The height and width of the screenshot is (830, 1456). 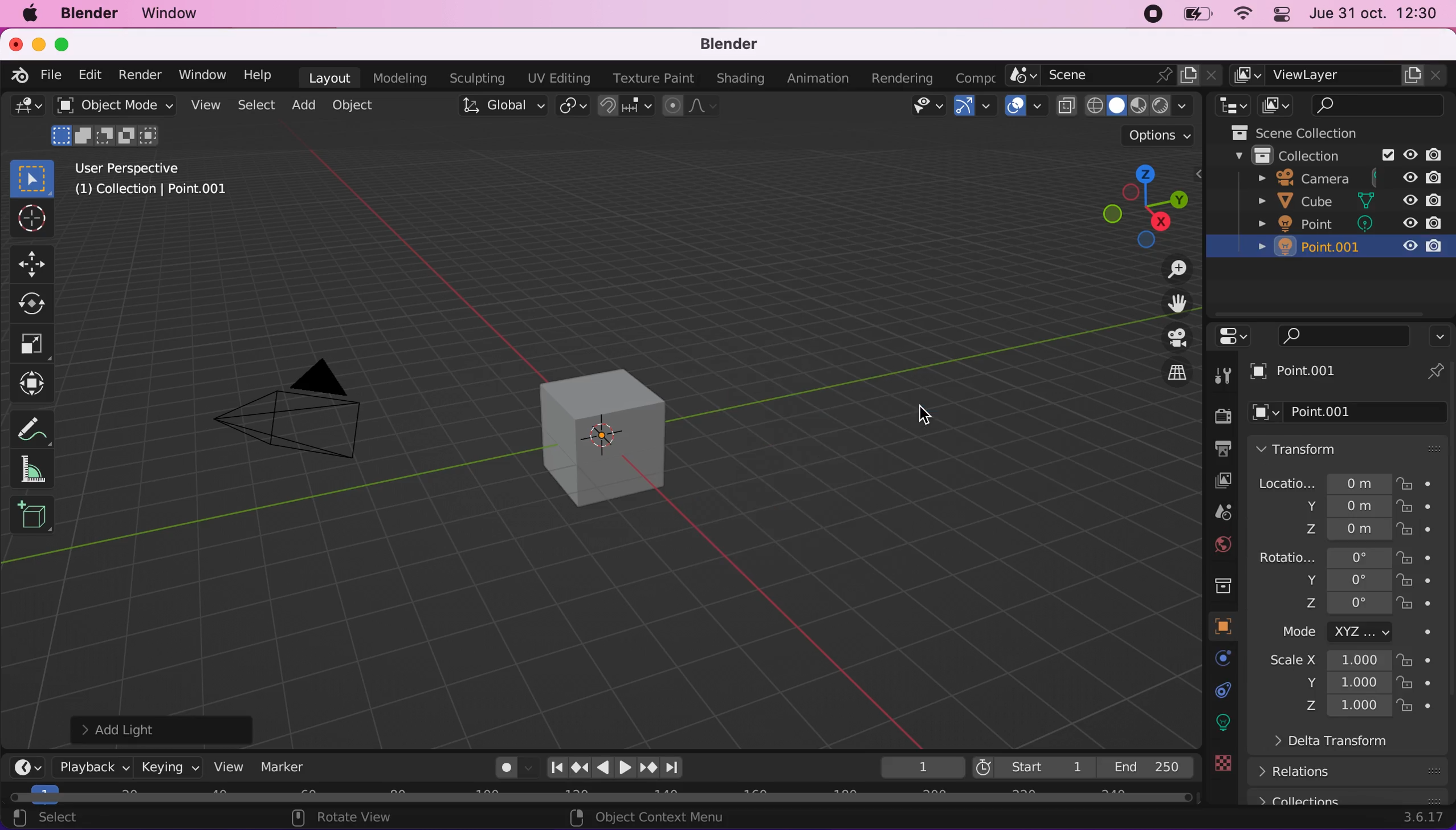 I want to click on add light, so click(x=176, y=729).